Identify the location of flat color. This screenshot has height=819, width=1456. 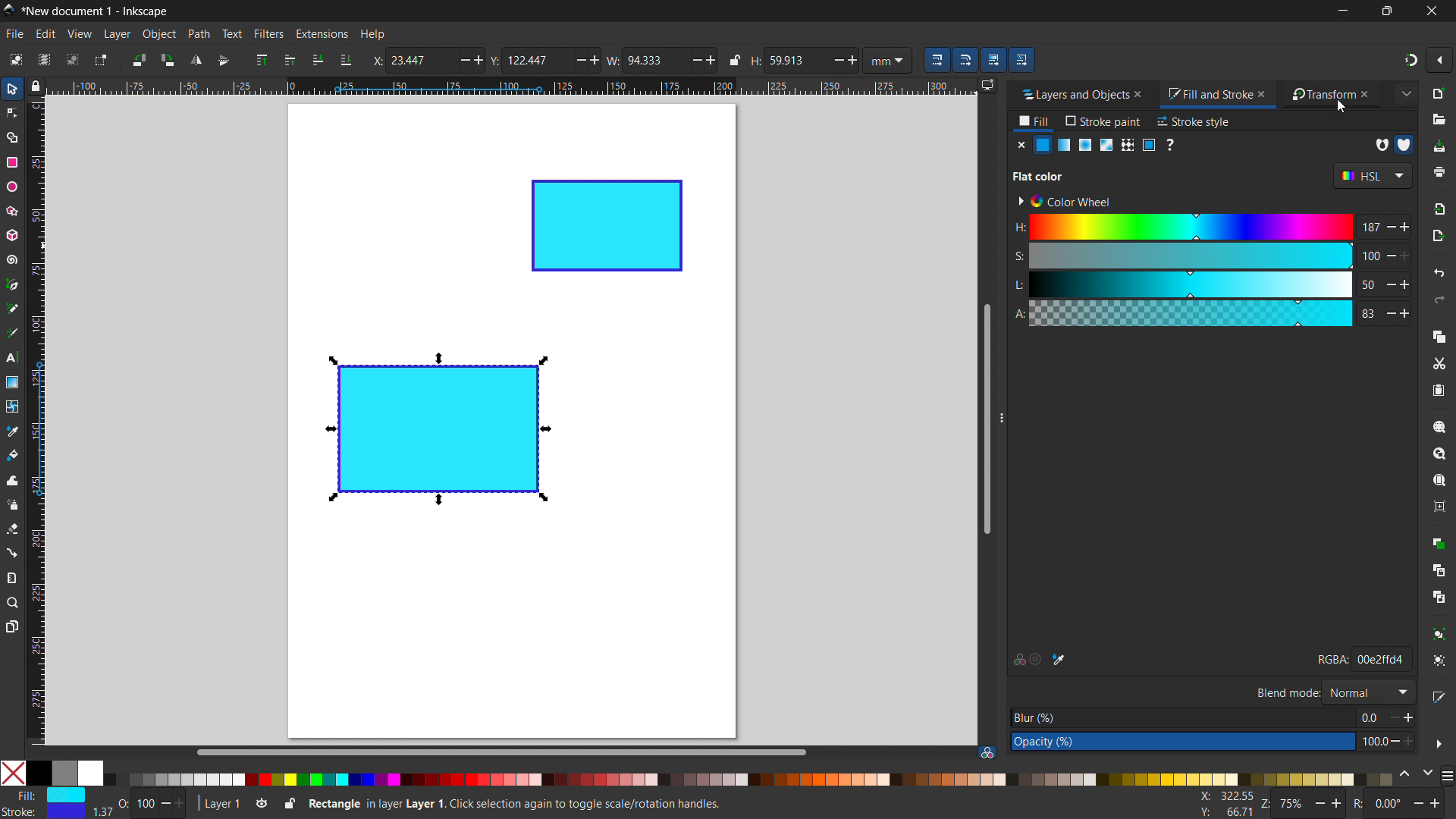
(1039, 176).